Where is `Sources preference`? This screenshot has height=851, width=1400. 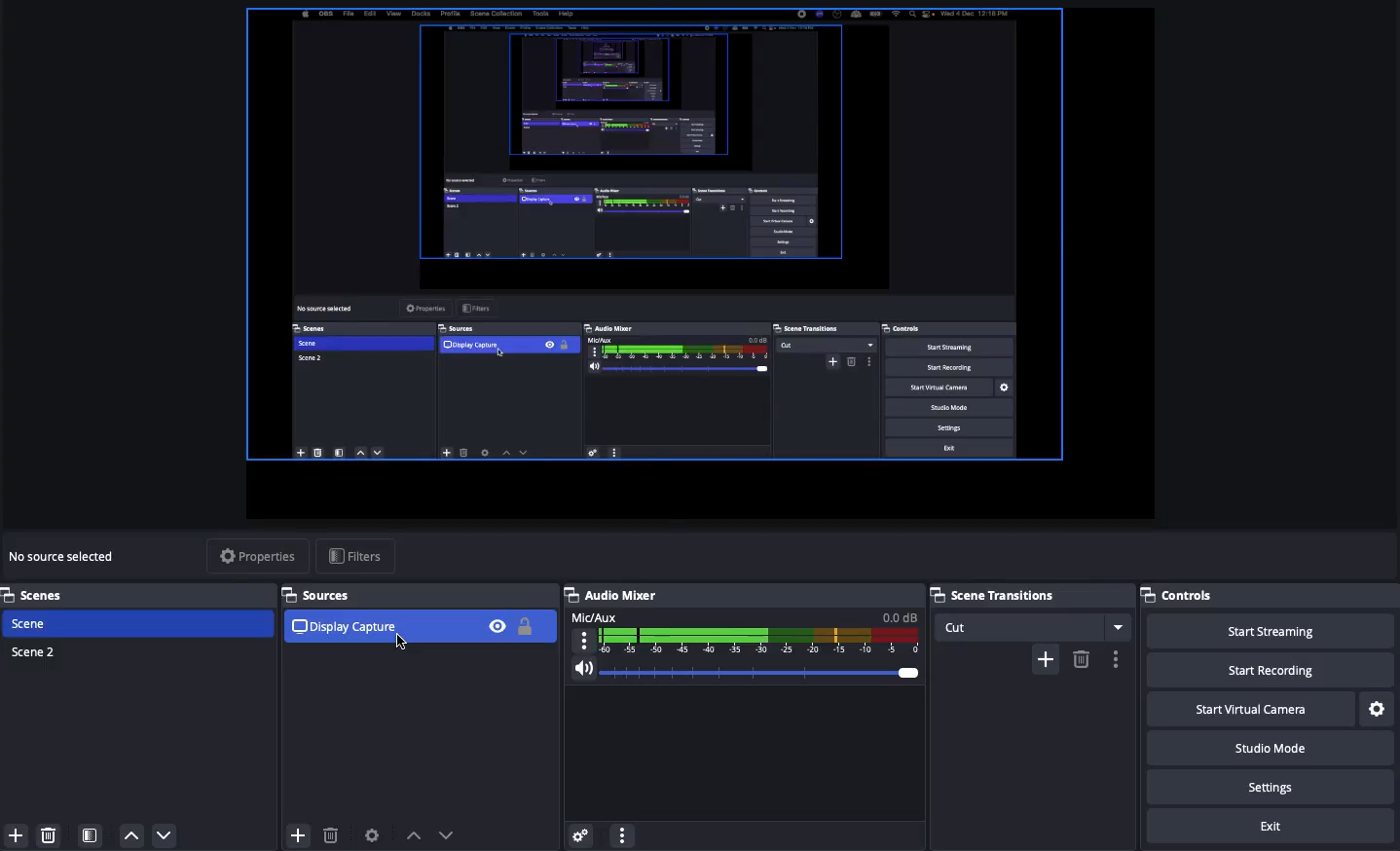 Sources preference is located at coordinates (373, 832).